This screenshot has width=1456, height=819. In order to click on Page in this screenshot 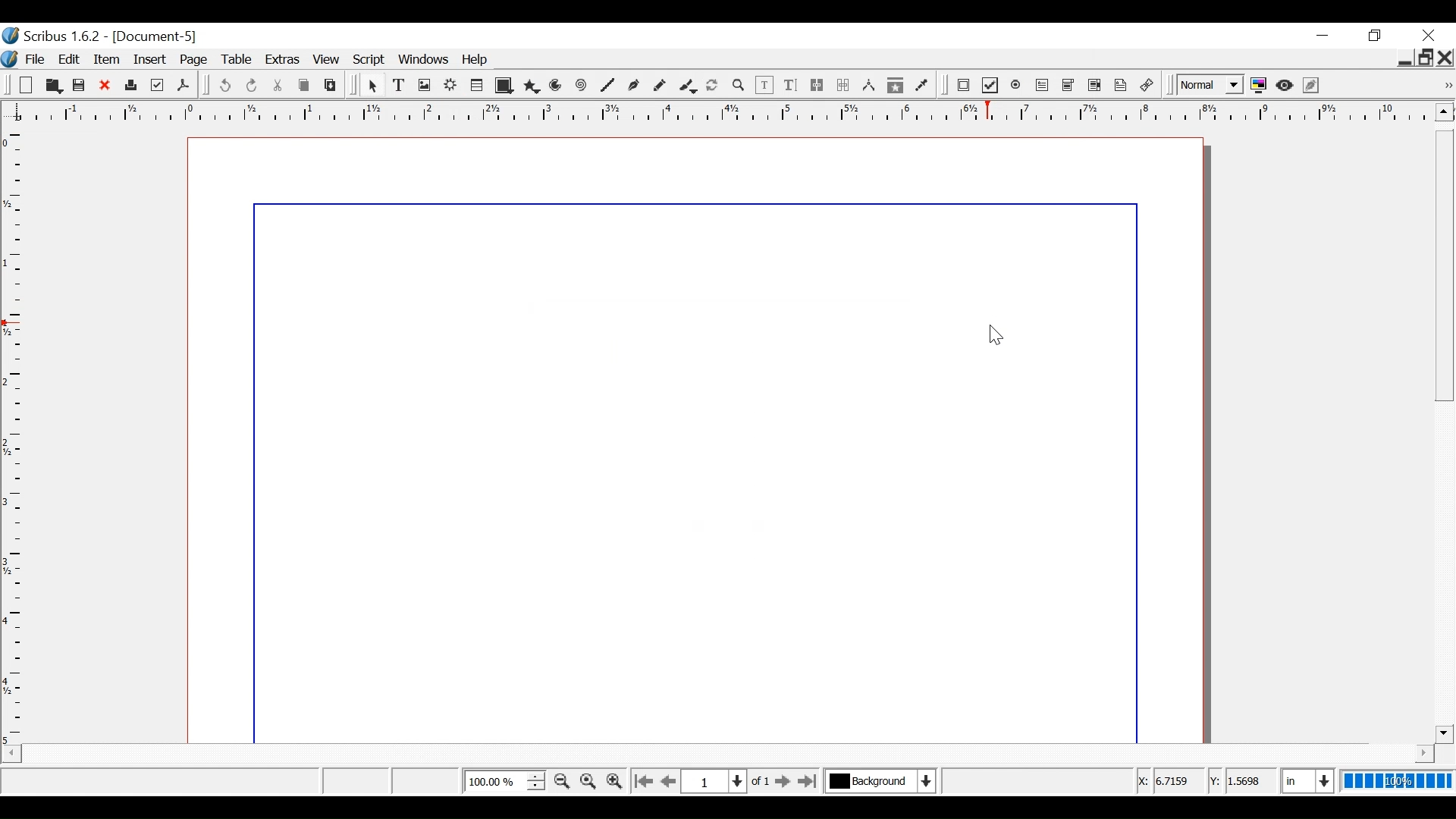, I will do `click(197, 60)`.